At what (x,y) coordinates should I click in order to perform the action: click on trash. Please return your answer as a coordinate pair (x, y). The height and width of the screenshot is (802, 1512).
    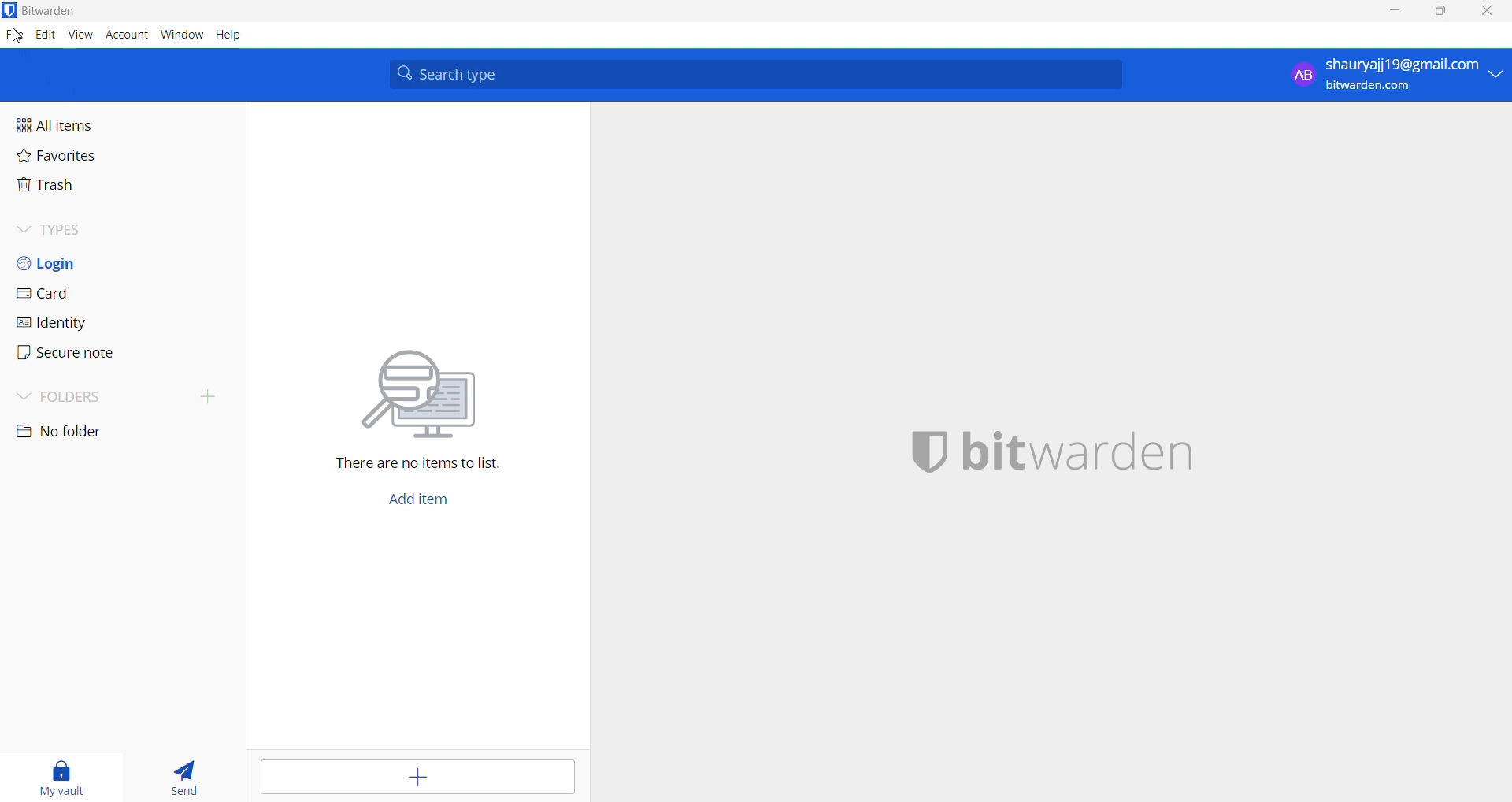
    Looking at the image, I should click on (143, 185).